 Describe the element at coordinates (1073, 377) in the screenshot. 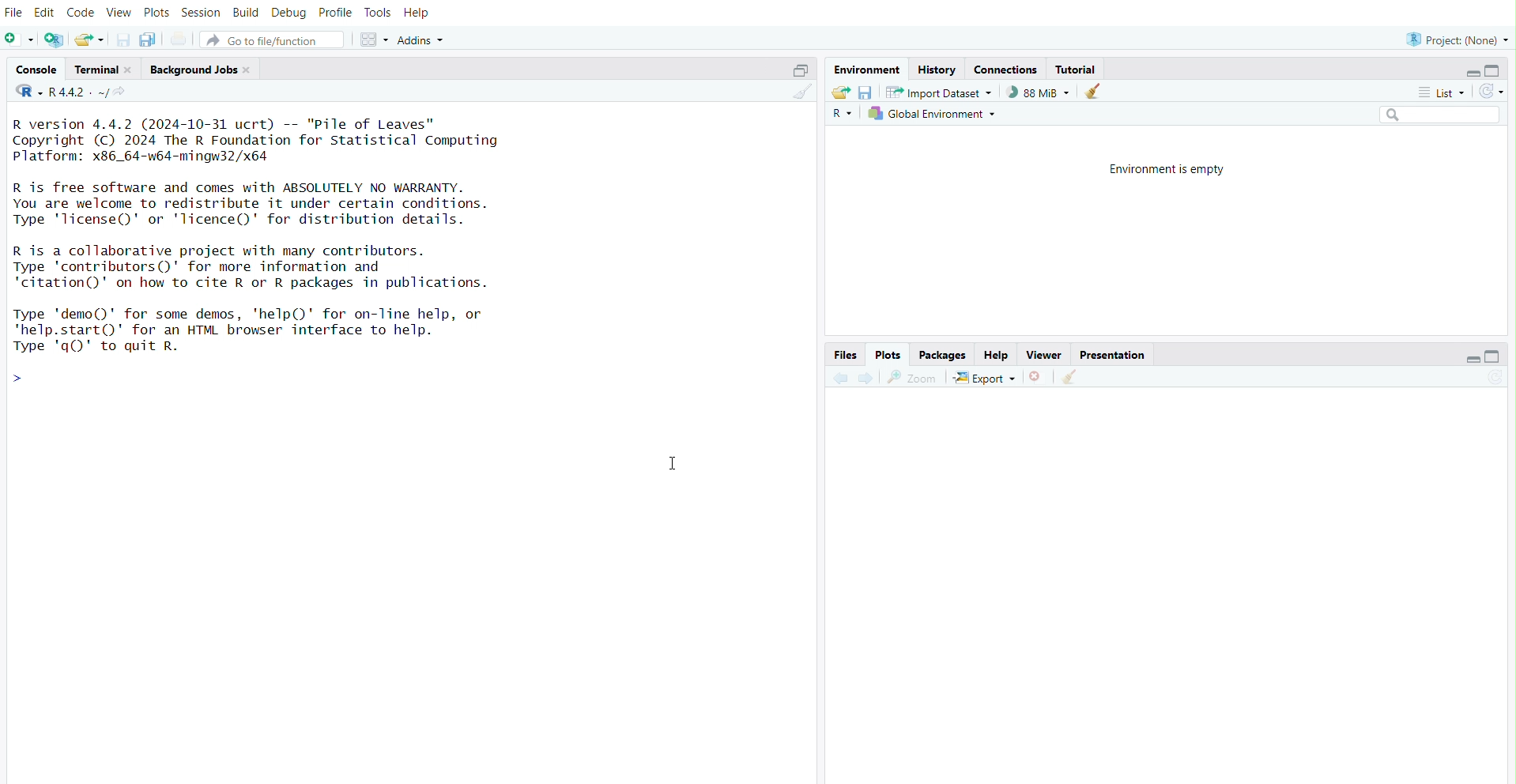

I see `clear all plots` at that location.